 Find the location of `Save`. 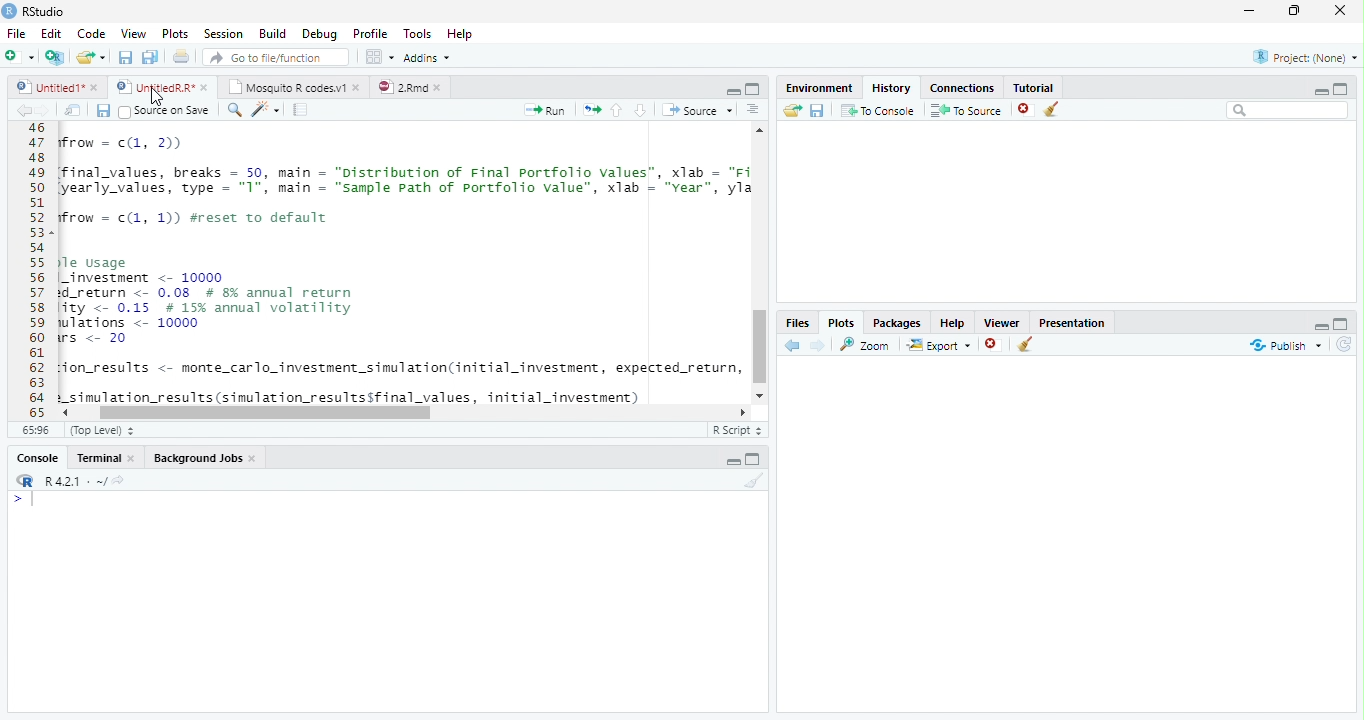

Save is located at coordinates (817, 110).